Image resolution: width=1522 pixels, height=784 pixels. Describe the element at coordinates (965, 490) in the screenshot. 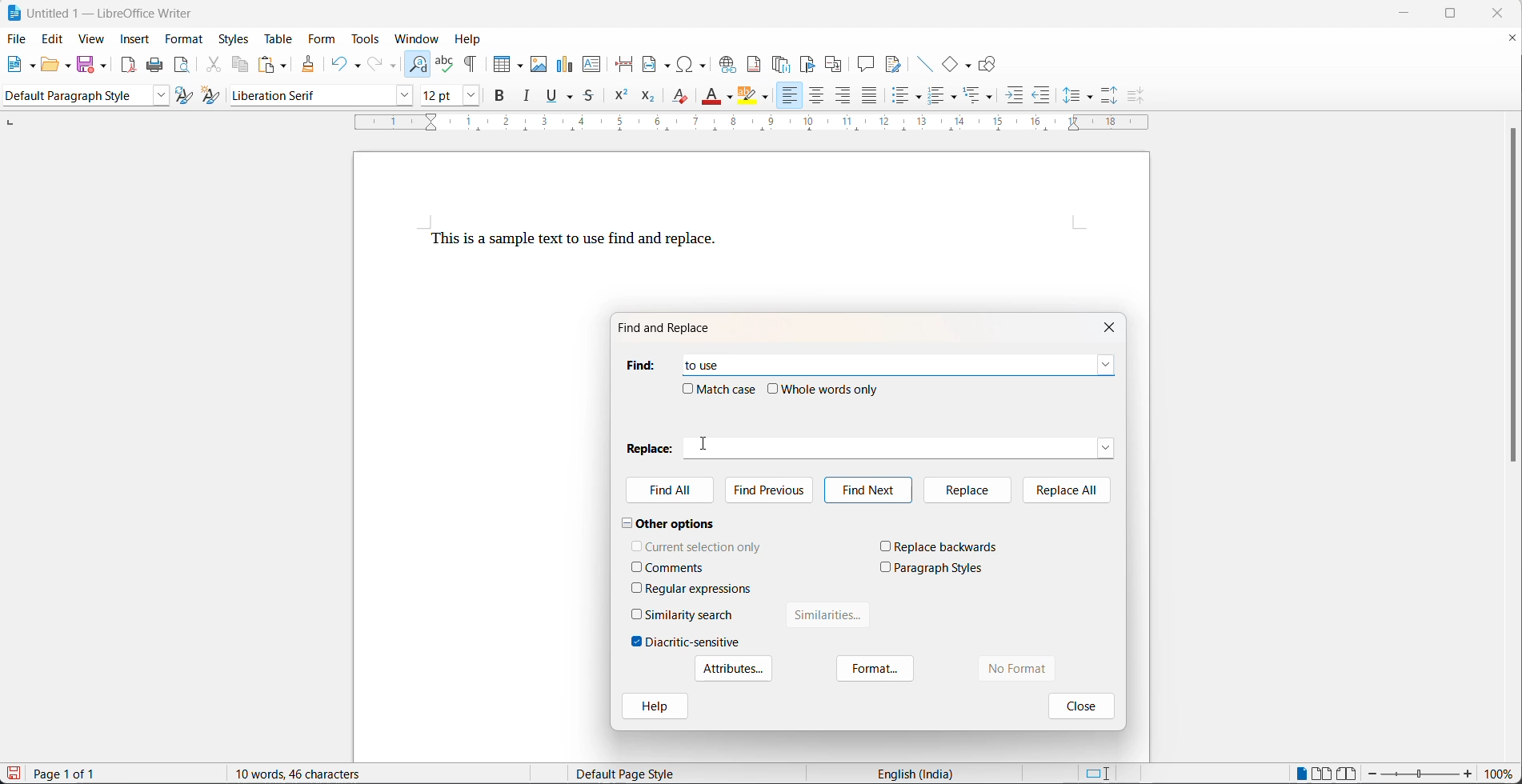

I see `replace` at that location.